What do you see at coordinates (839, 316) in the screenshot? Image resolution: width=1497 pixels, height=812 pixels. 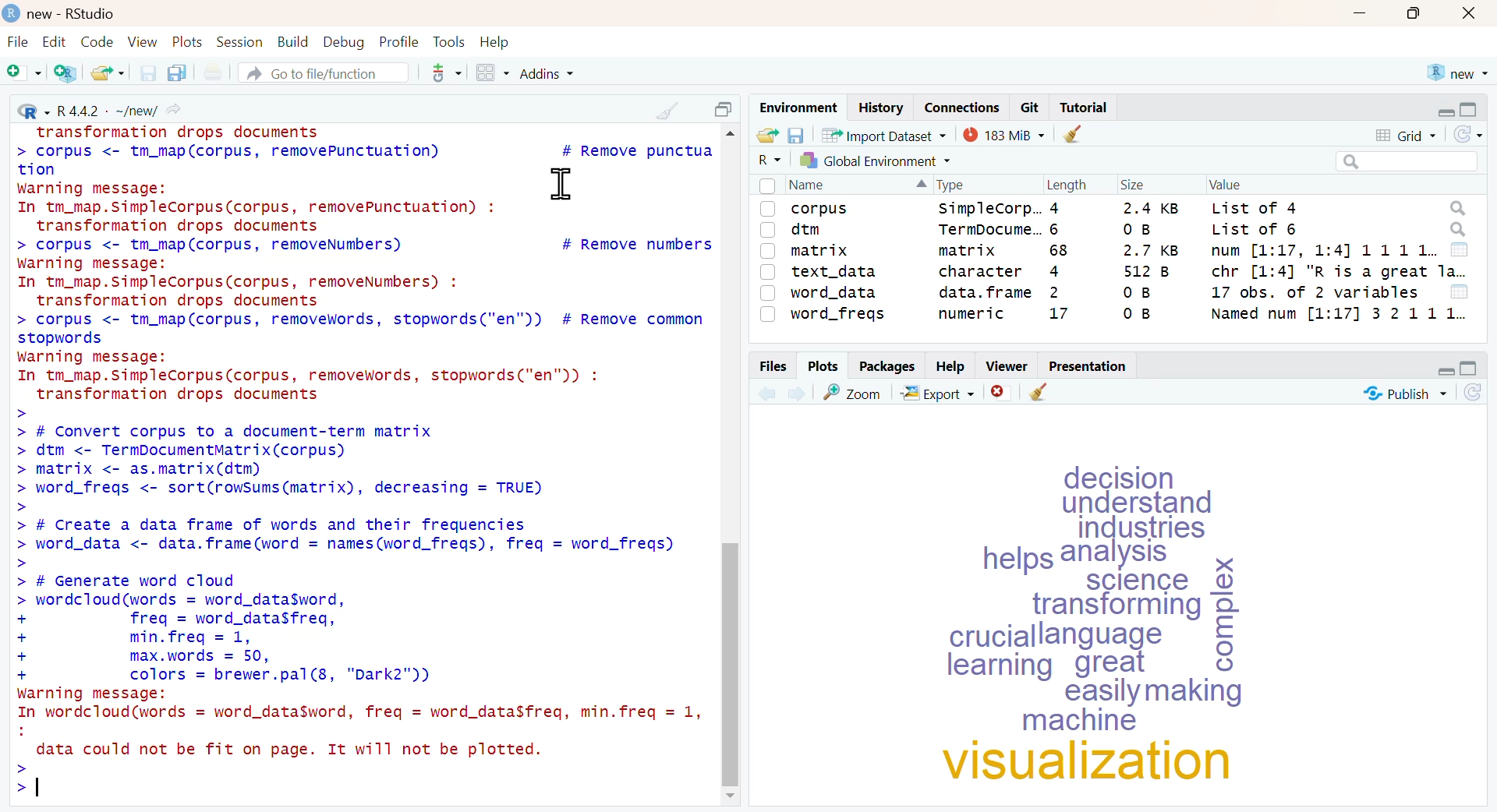 I see `word_freqs` at bounding box center [839, 316].